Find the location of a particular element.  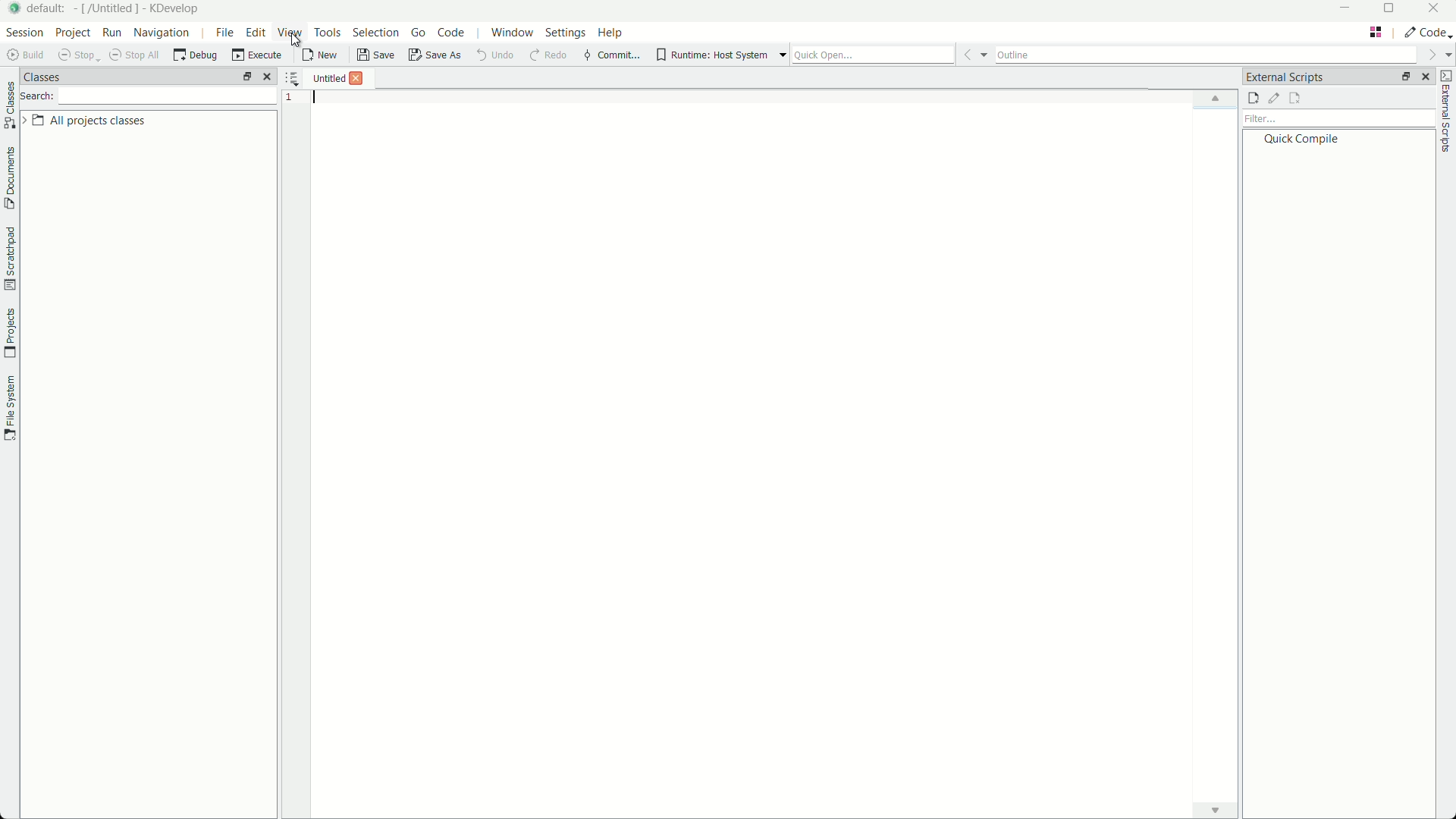

tab layout is located at coordinates (1375, 35).